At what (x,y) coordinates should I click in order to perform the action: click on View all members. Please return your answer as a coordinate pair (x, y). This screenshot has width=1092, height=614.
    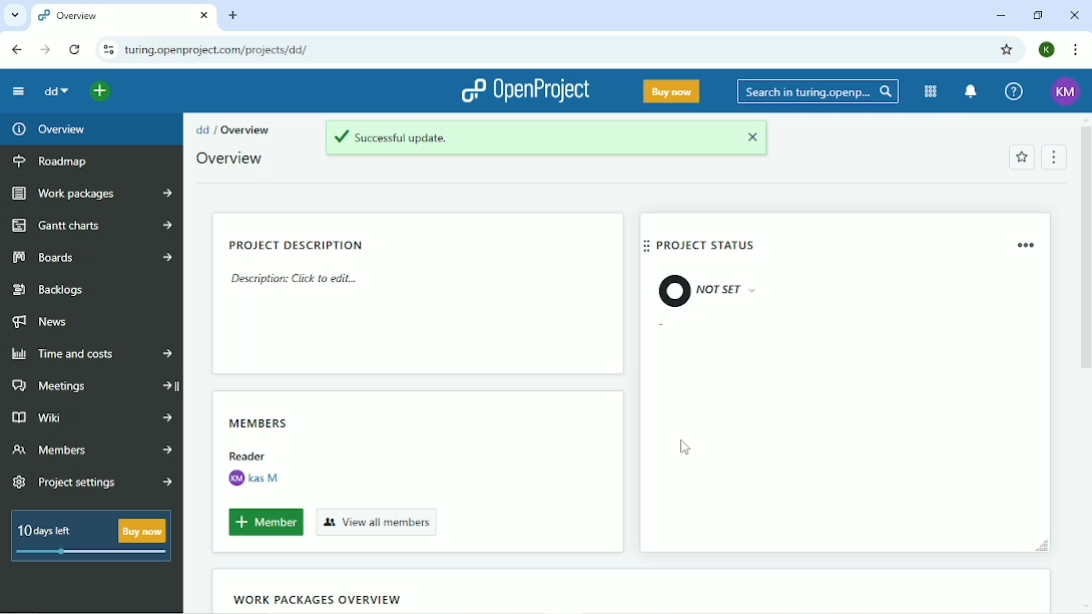
    Looking at the image, I should click on (379, 522).